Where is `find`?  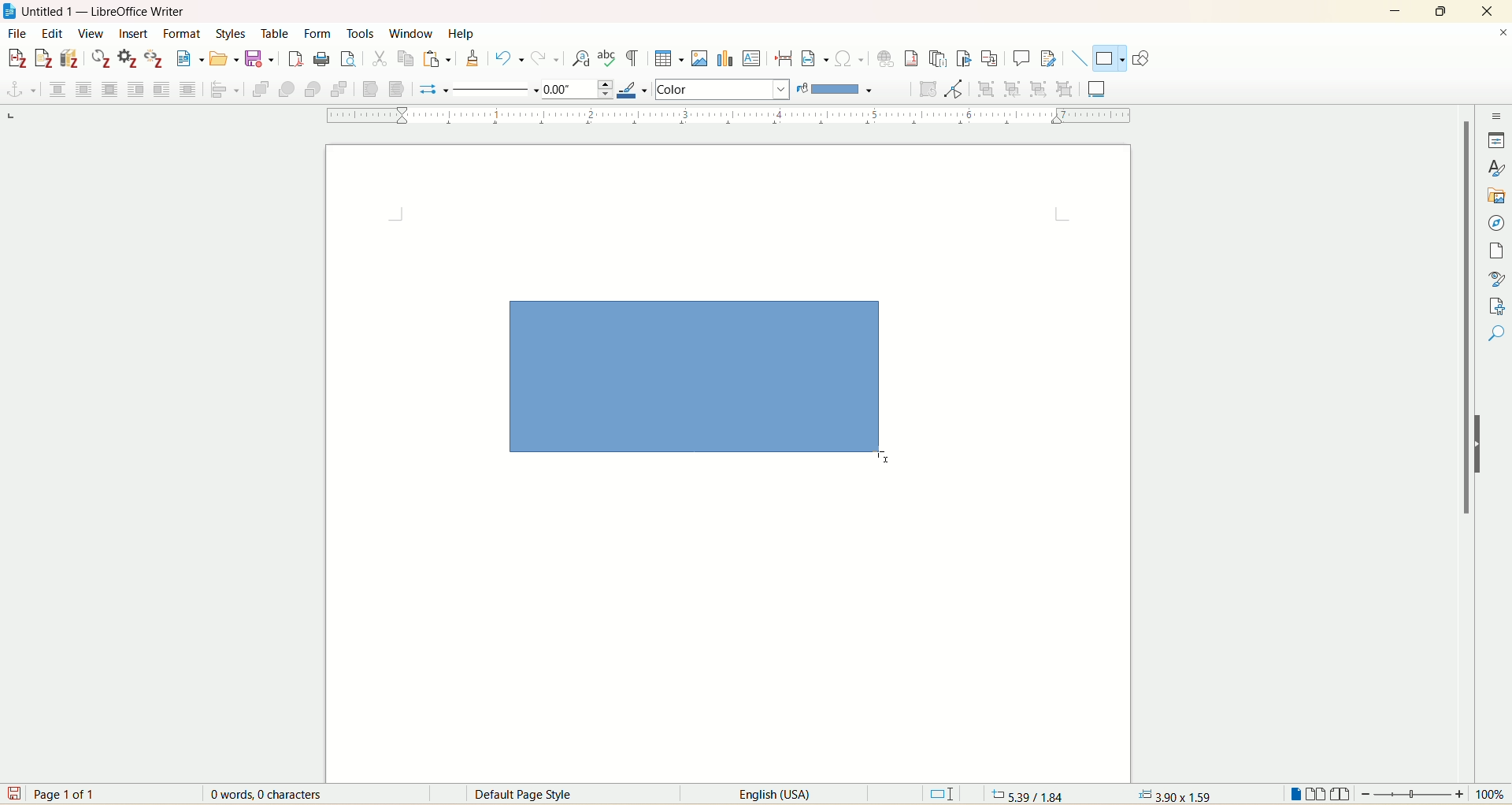 find is located at coordinates (1497, 362).